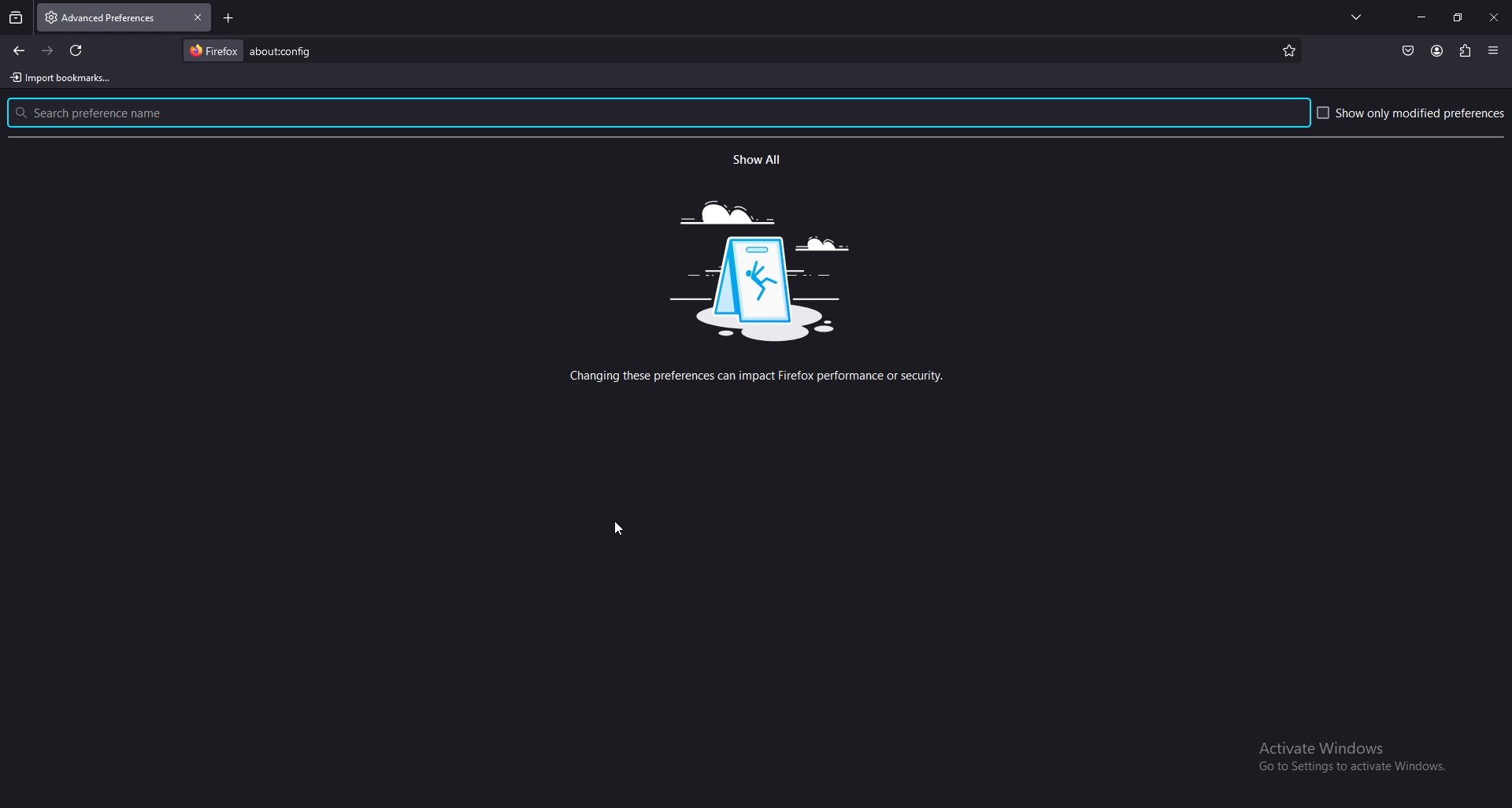  I want to click on resize, so click(1458, 17).